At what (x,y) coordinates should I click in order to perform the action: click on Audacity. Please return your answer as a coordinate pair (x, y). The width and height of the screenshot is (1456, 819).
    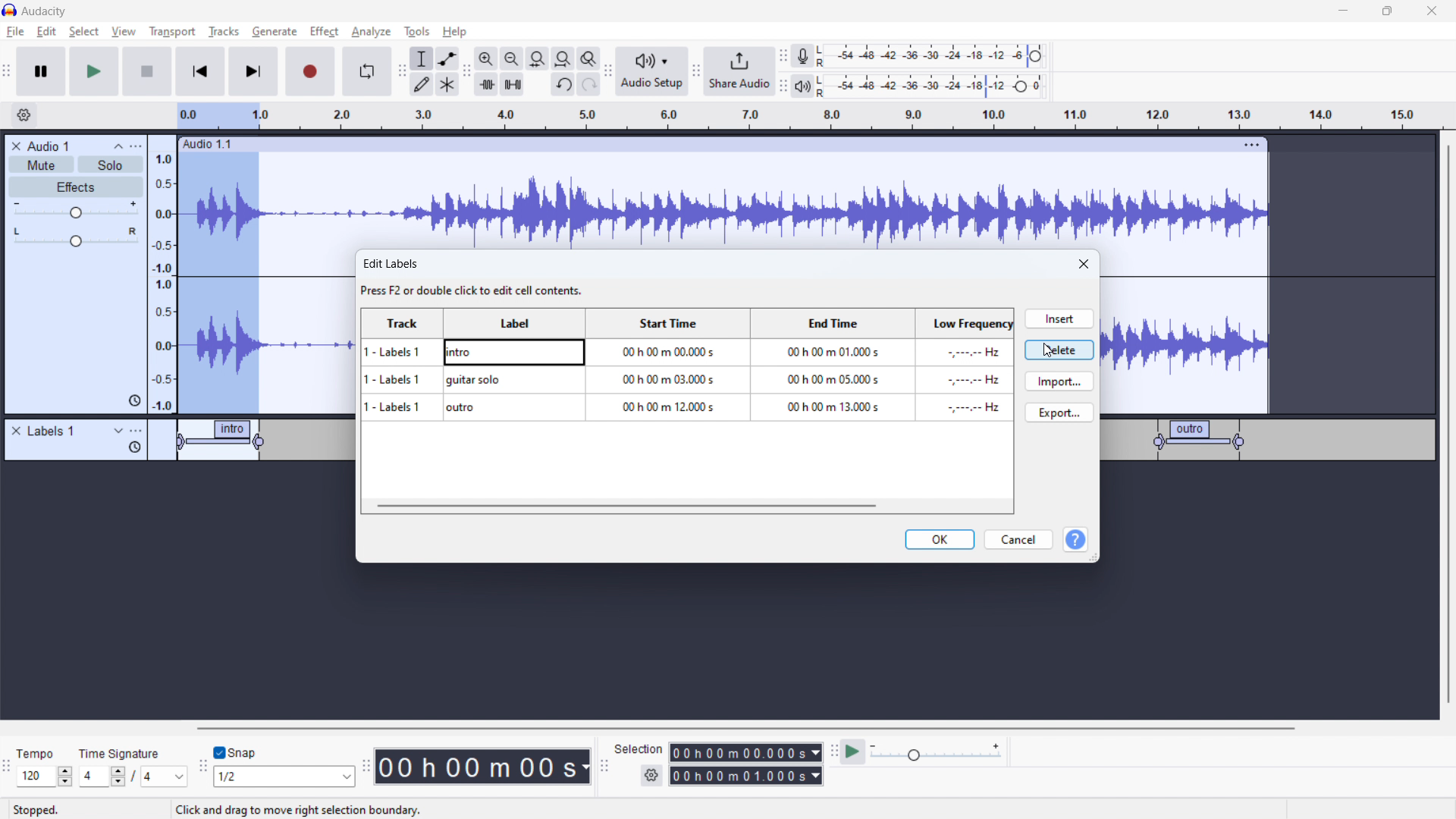
    Looking at the image, I should click on (47, 11).